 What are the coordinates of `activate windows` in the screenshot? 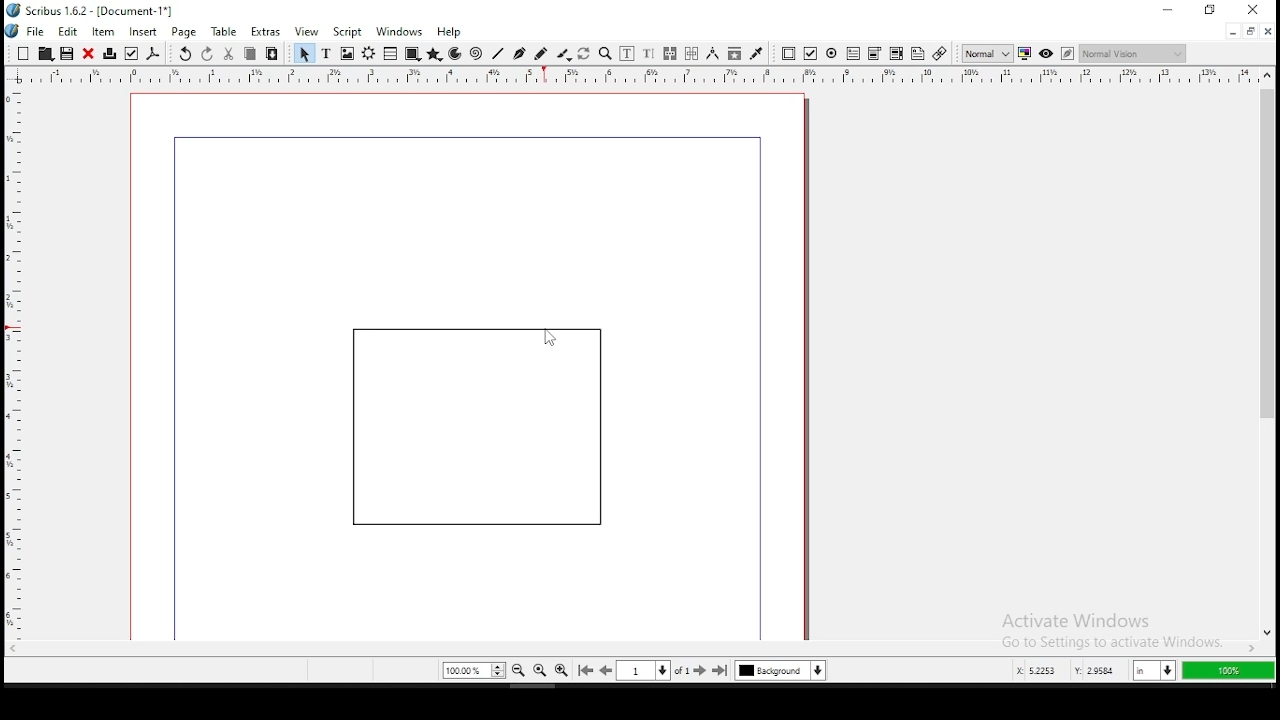 It's located at (1103, 622).